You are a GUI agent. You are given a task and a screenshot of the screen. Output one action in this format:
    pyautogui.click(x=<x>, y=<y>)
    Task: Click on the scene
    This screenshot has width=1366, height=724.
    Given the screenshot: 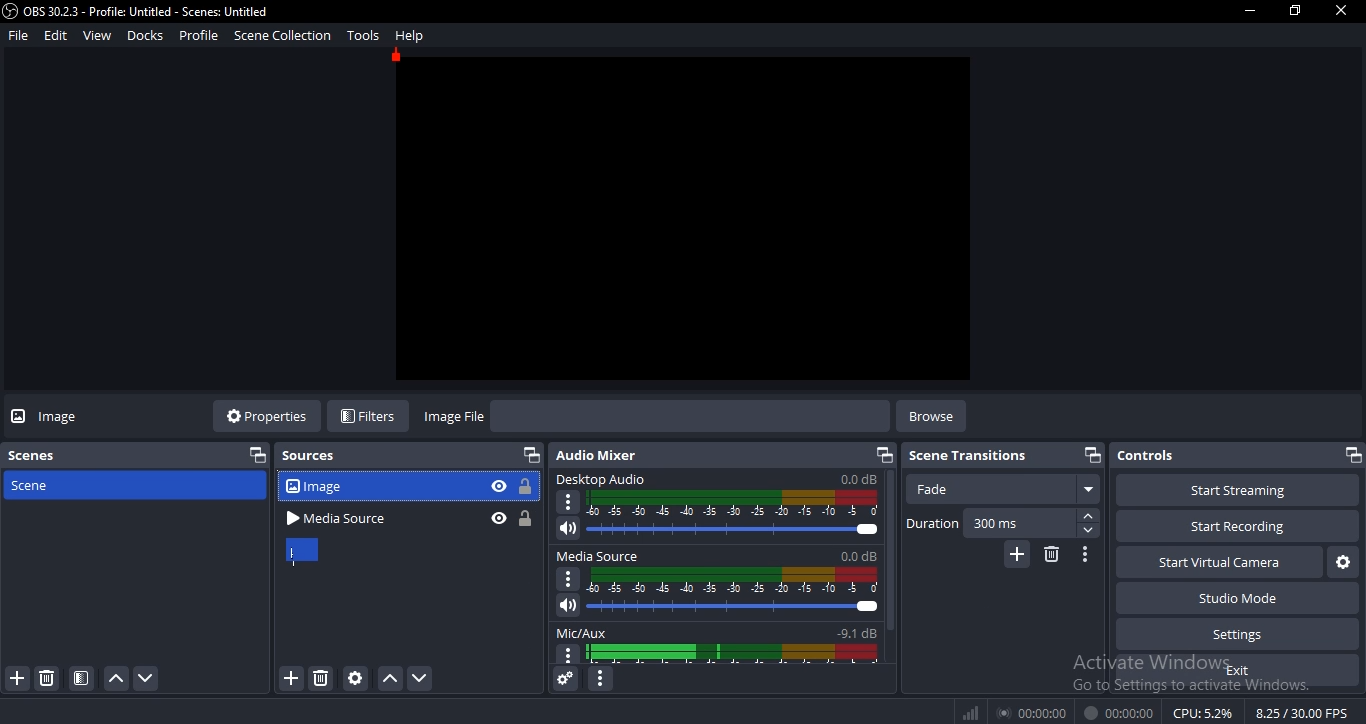 What is the action you would take?
    pyautogui.click(x=81, y=678)
    